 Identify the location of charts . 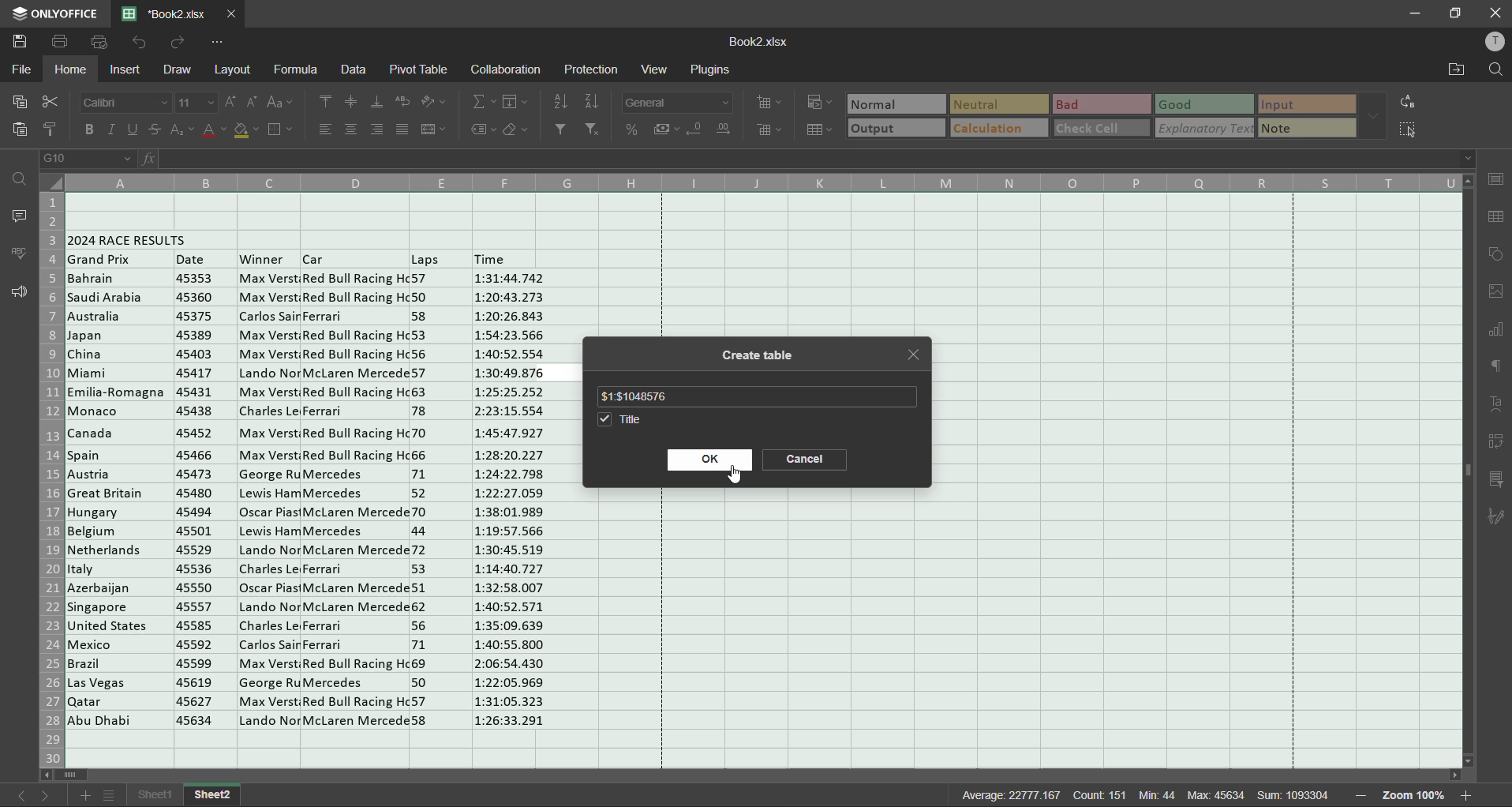
(1496, 330).